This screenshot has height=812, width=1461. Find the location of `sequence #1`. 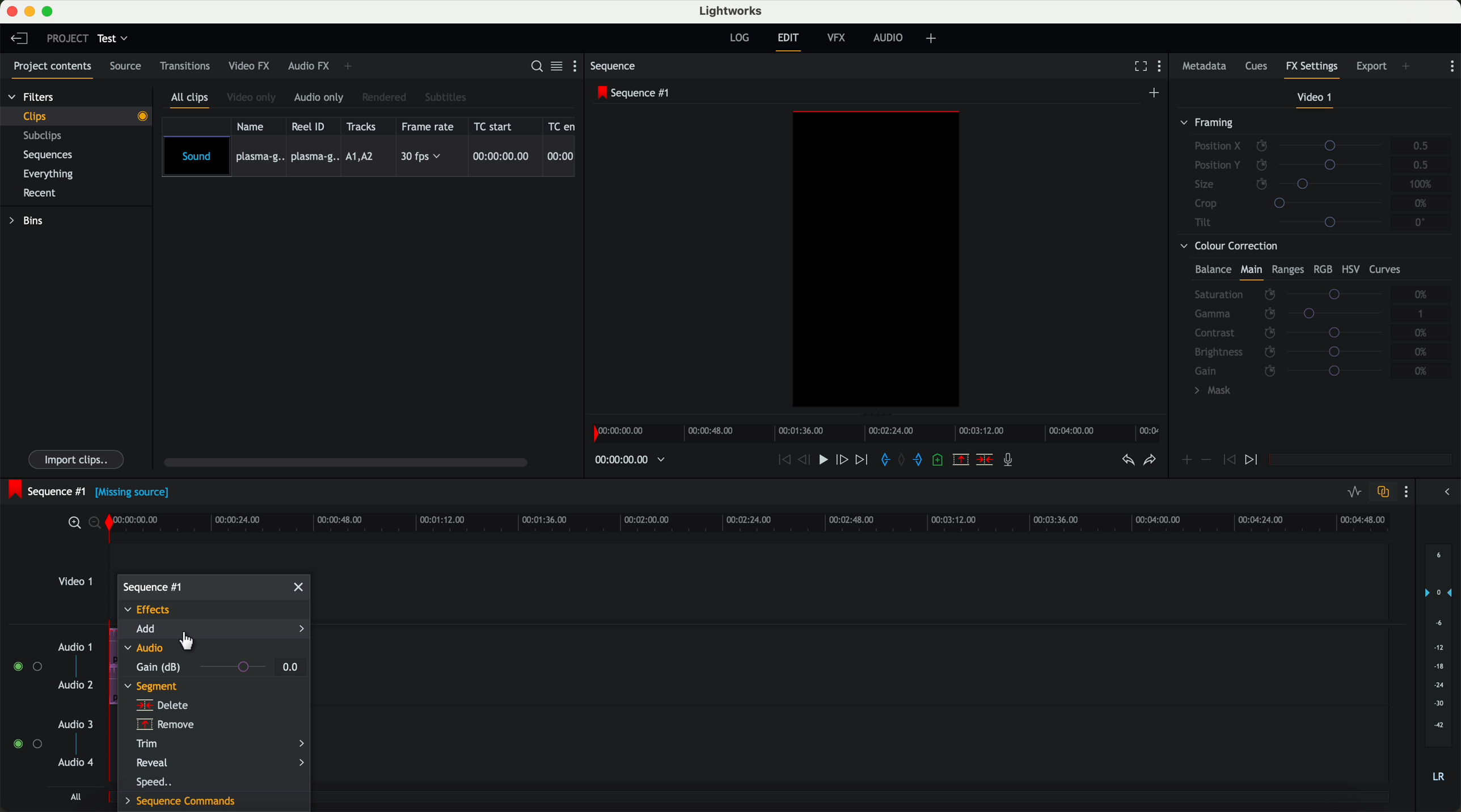

sequence #1 is located at coordinates (47, 489).